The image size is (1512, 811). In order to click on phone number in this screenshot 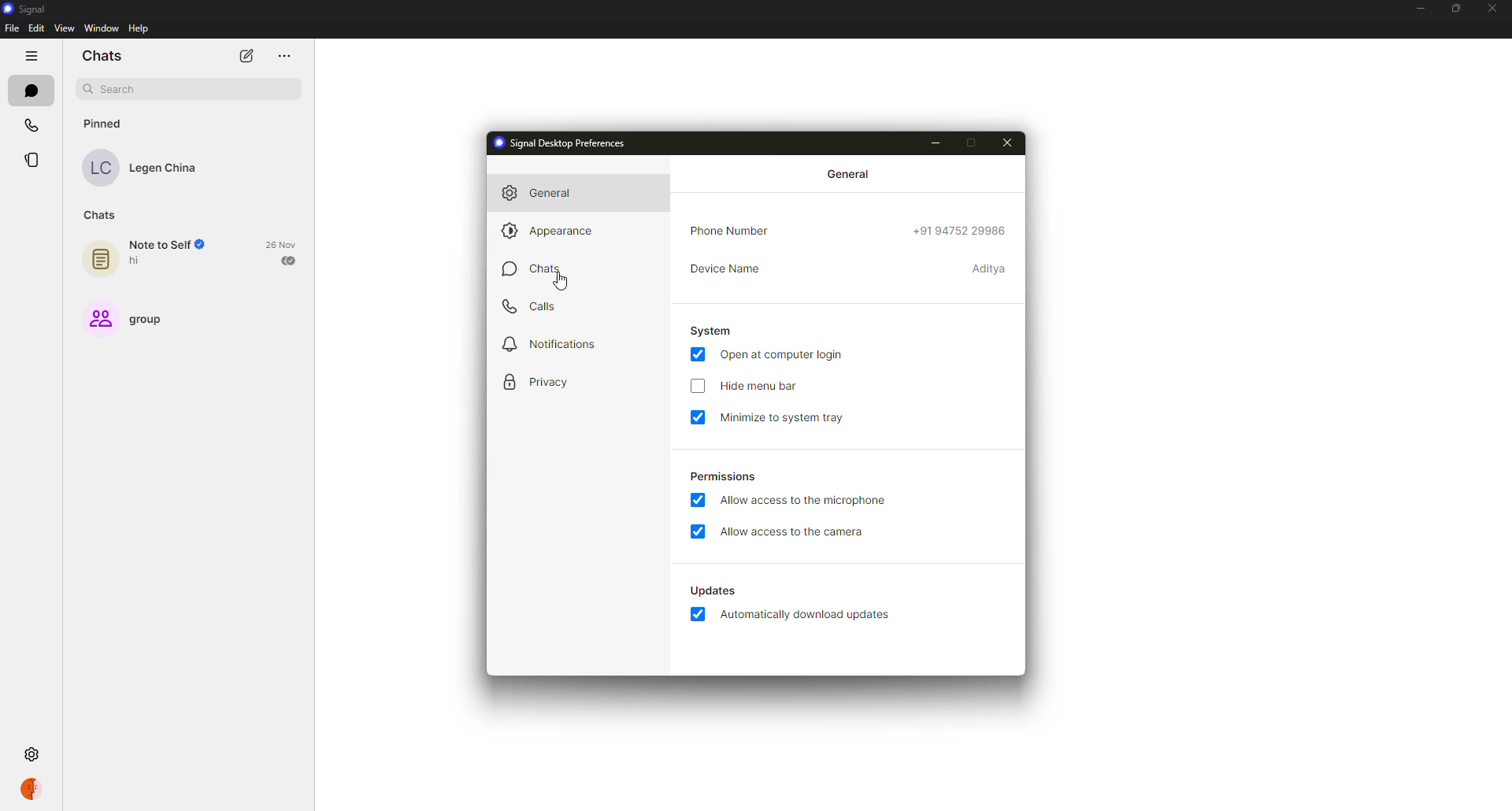, I will do `click(730, 230)`.